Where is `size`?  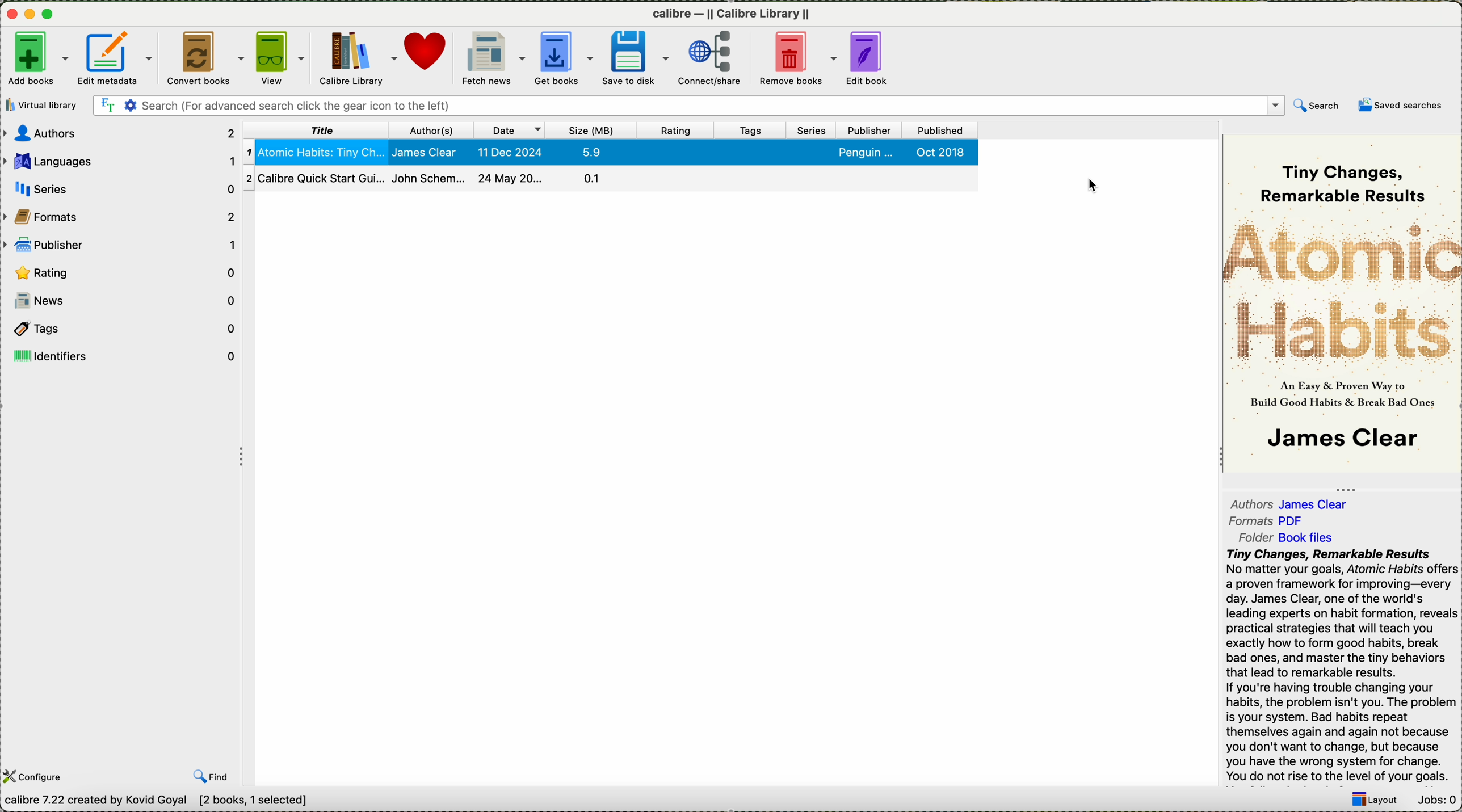 size is located at coordinates (590, 129).